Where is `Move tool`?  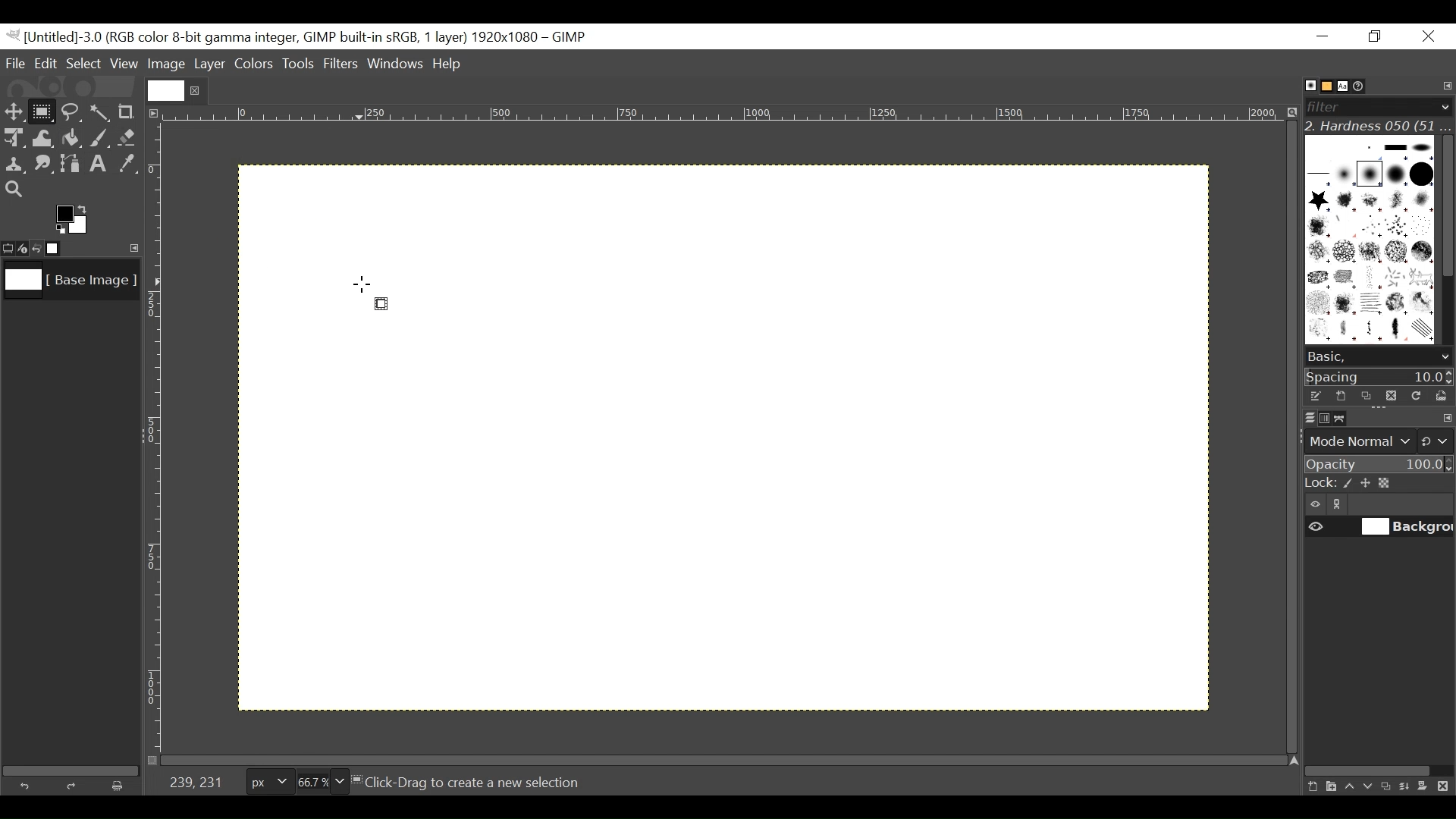
Move tool is located at coordinates (13, 110).